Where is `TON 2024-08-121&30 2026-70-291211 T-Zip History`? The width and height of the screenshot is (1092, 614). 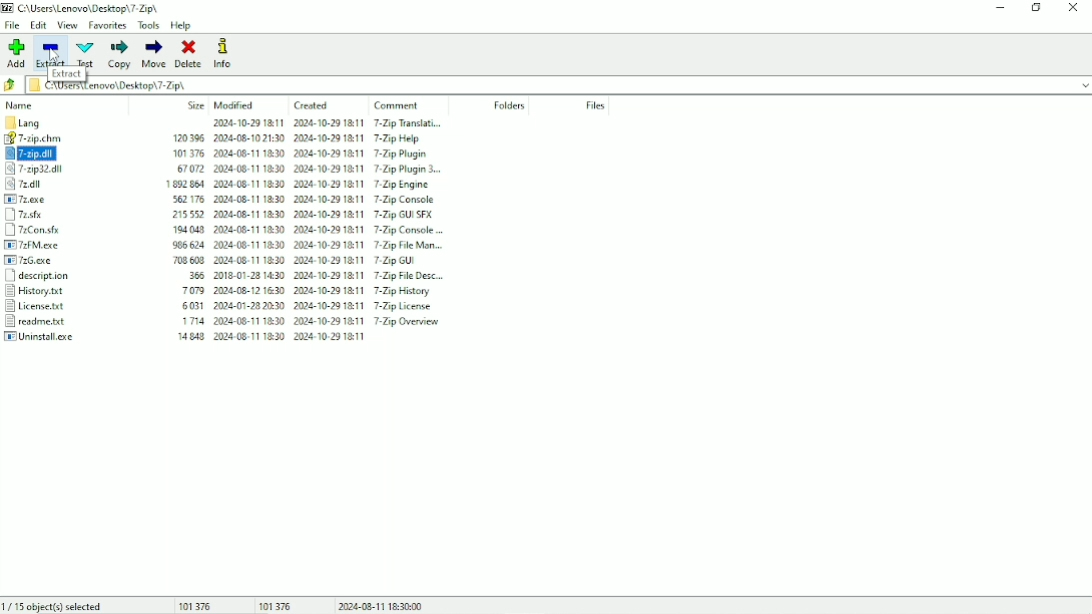 TON 2024-08-121&30 2026-70-291211 T-Zip History is located at coordinates (305, 293).